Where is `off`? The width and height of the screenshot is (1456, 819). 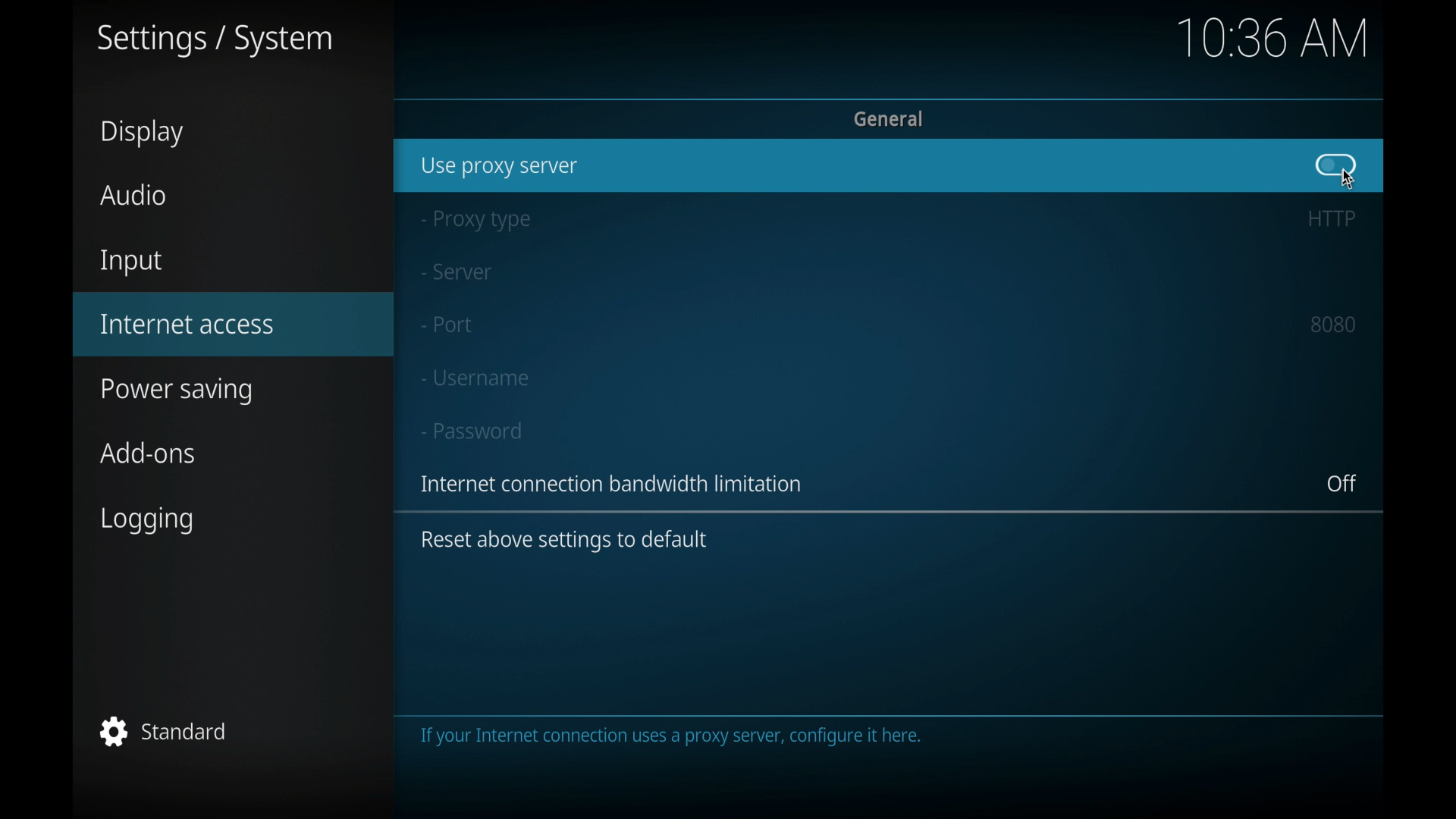 off is located at coordinates (1342, 484).